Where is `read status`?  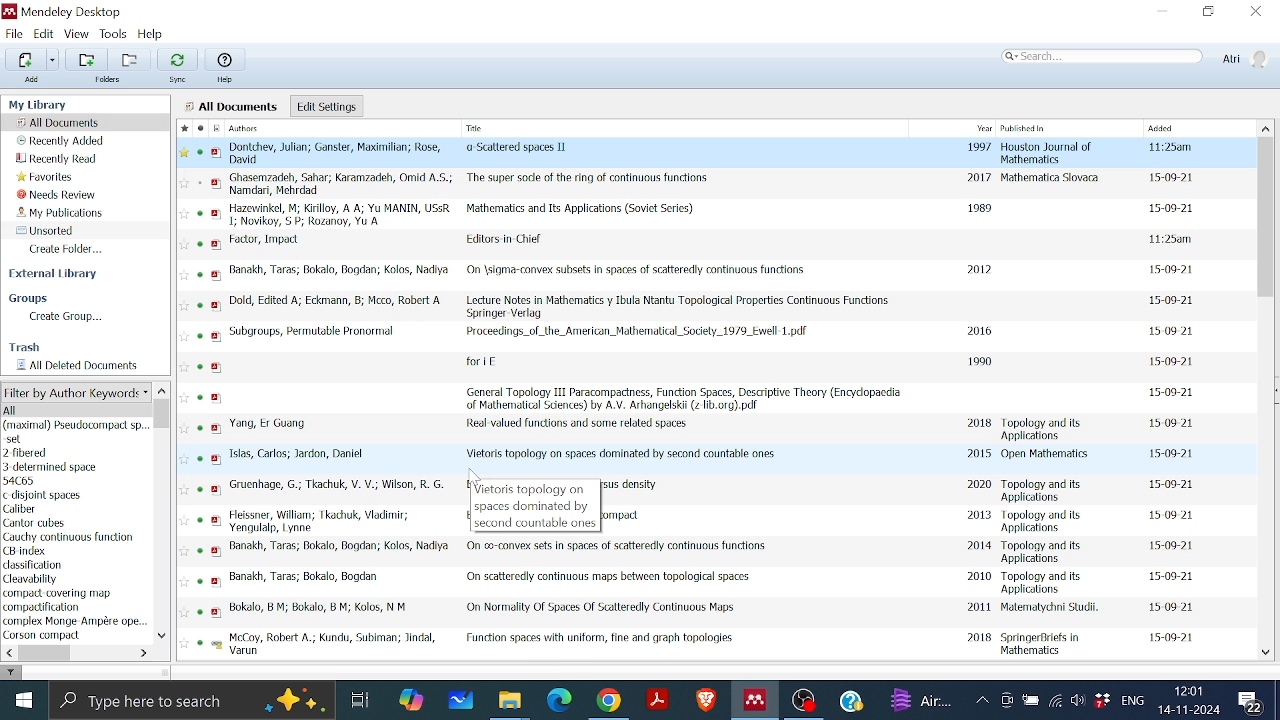
read status is located at coordinates (202, 153).